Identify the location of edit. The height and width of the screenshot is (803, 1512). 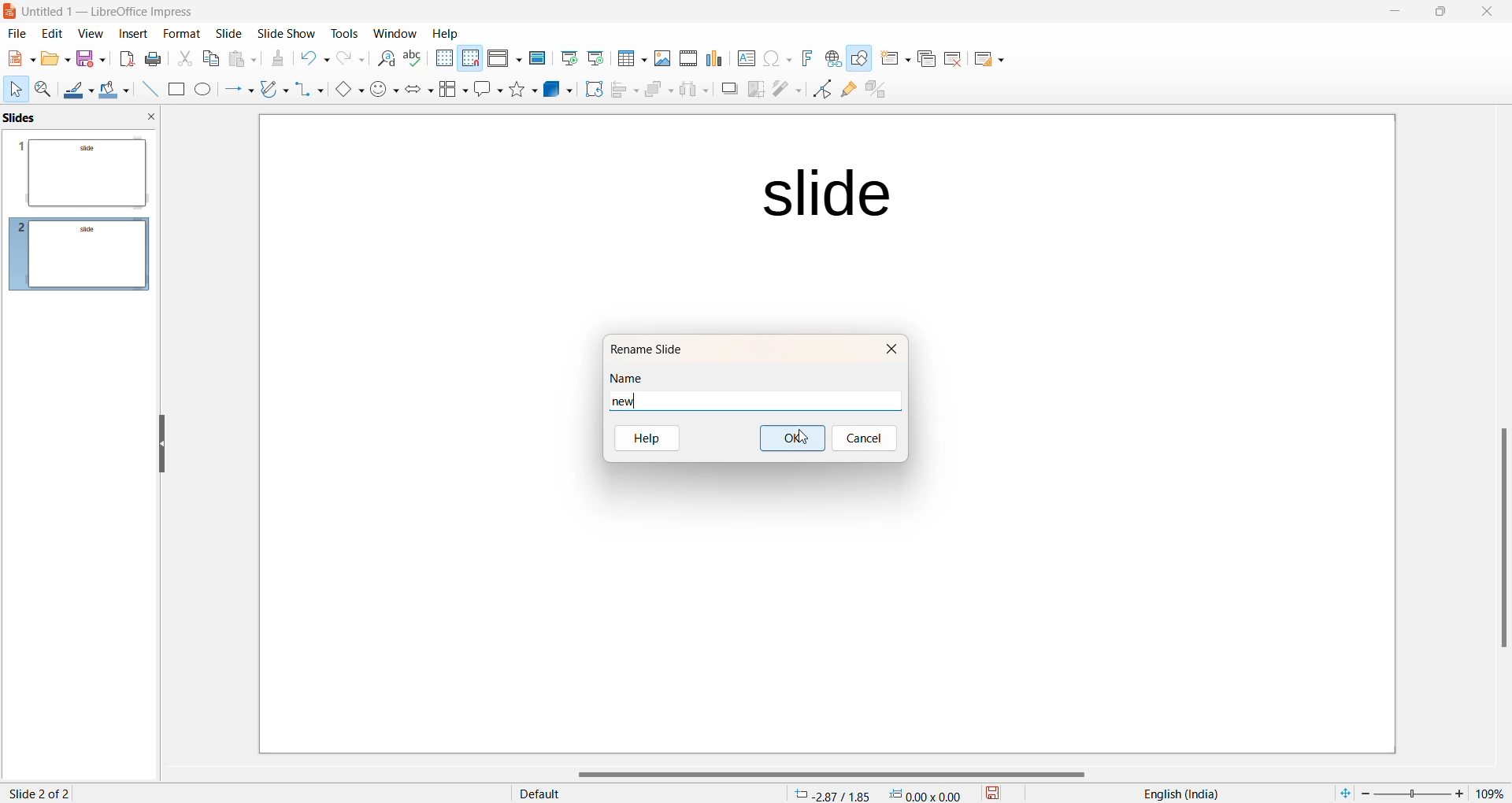
(50, 35).